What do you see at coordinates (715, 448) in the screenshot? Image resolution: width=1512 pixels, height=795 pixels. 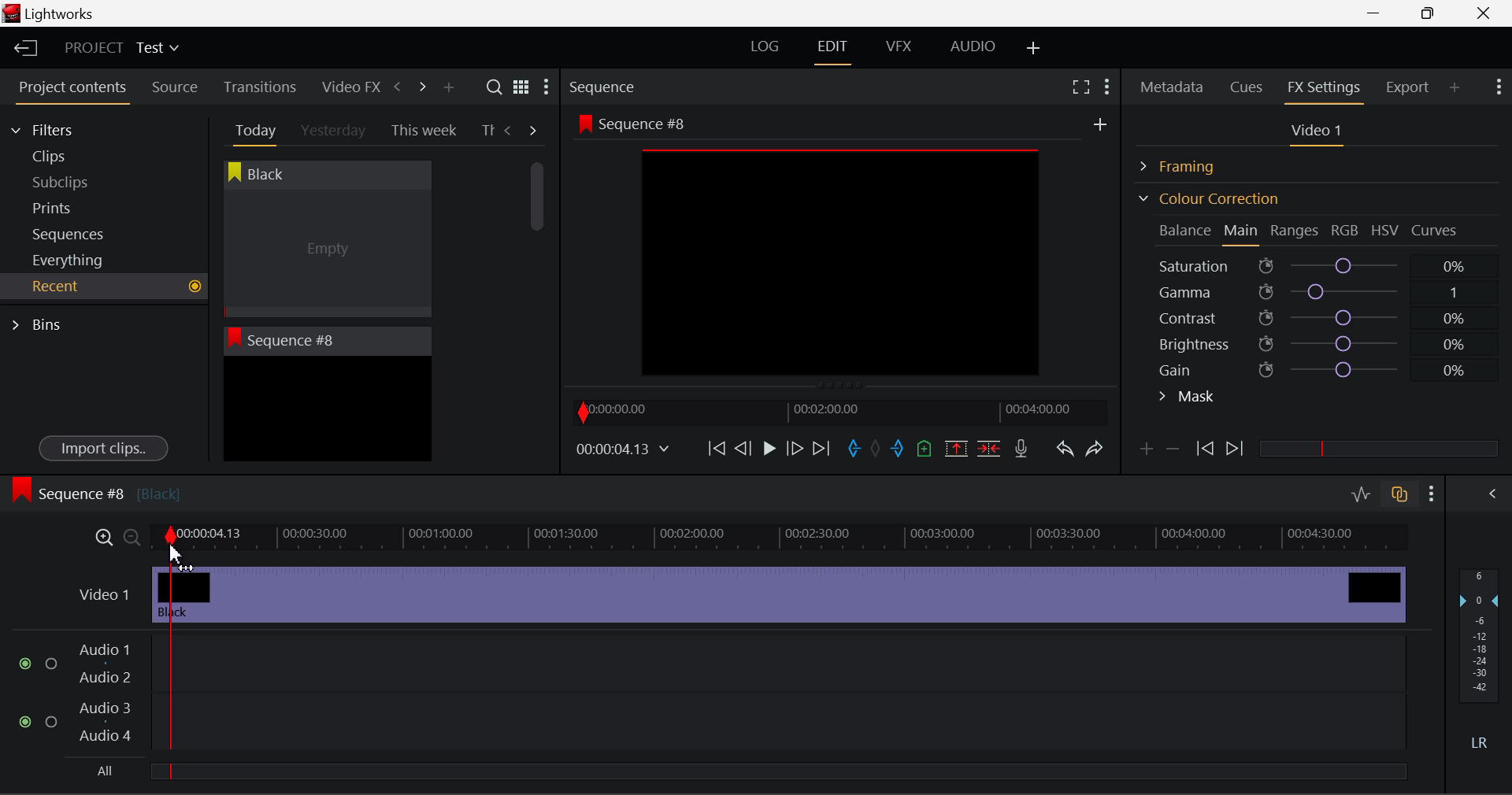 I see `To Start` at bounding box center [715, 448].